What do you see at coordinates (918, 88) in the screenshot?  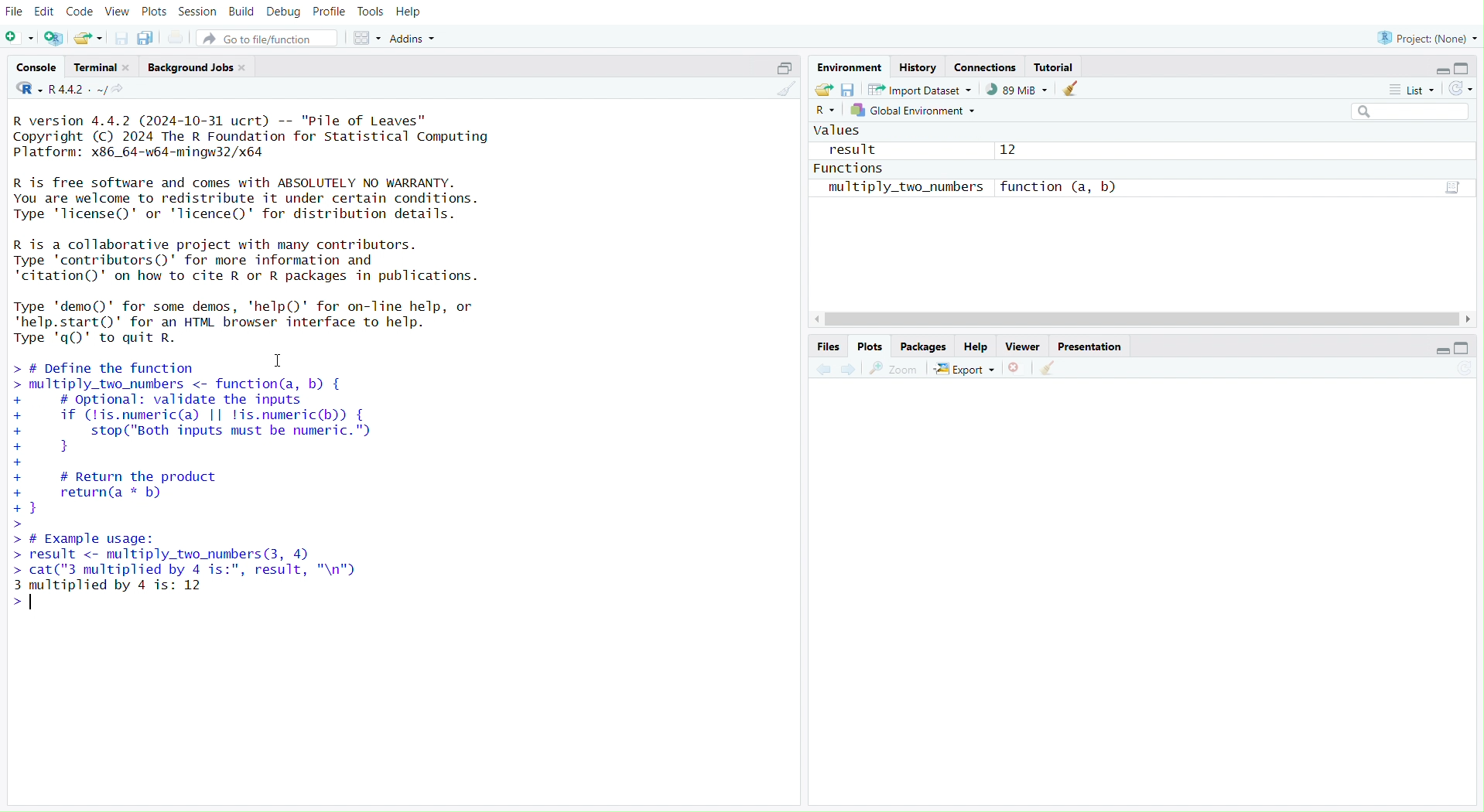 I see `Import Dataset` at bounding box center [918, 88].